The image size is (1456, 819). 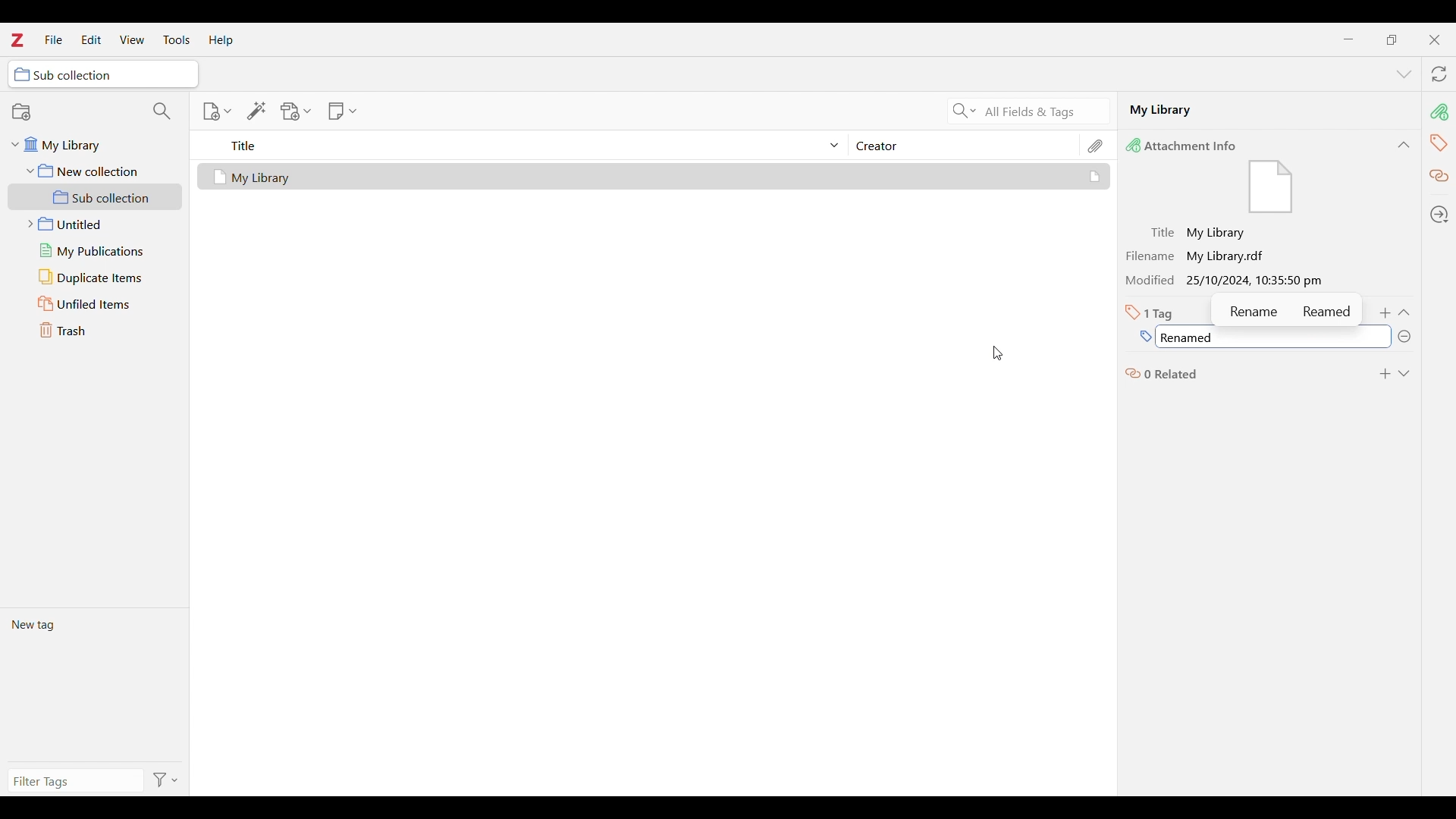 I want to click on Edit menu, so click(x=91, y=39).